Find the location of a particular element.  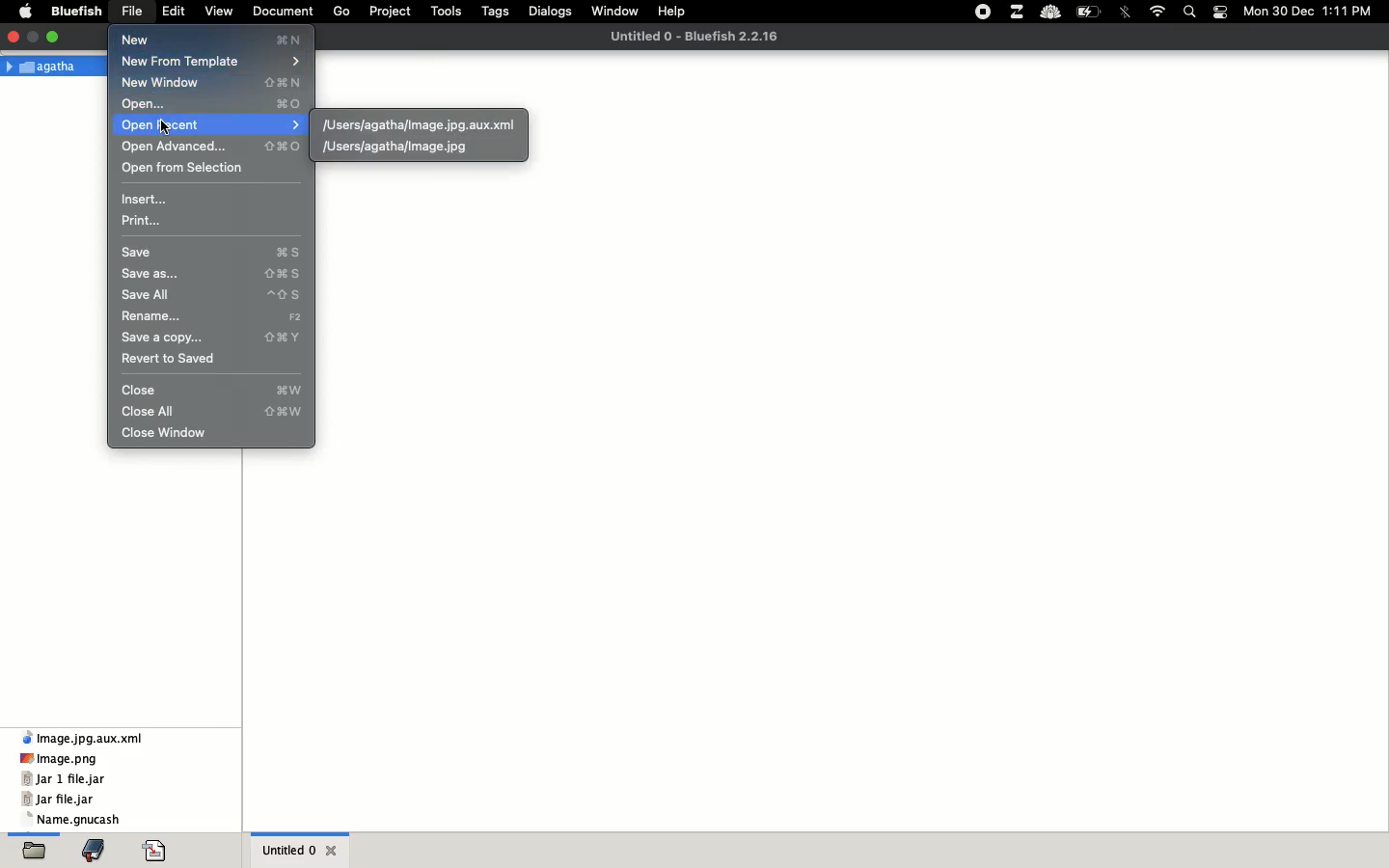

New Window  N is located at coordinates (211, 83).